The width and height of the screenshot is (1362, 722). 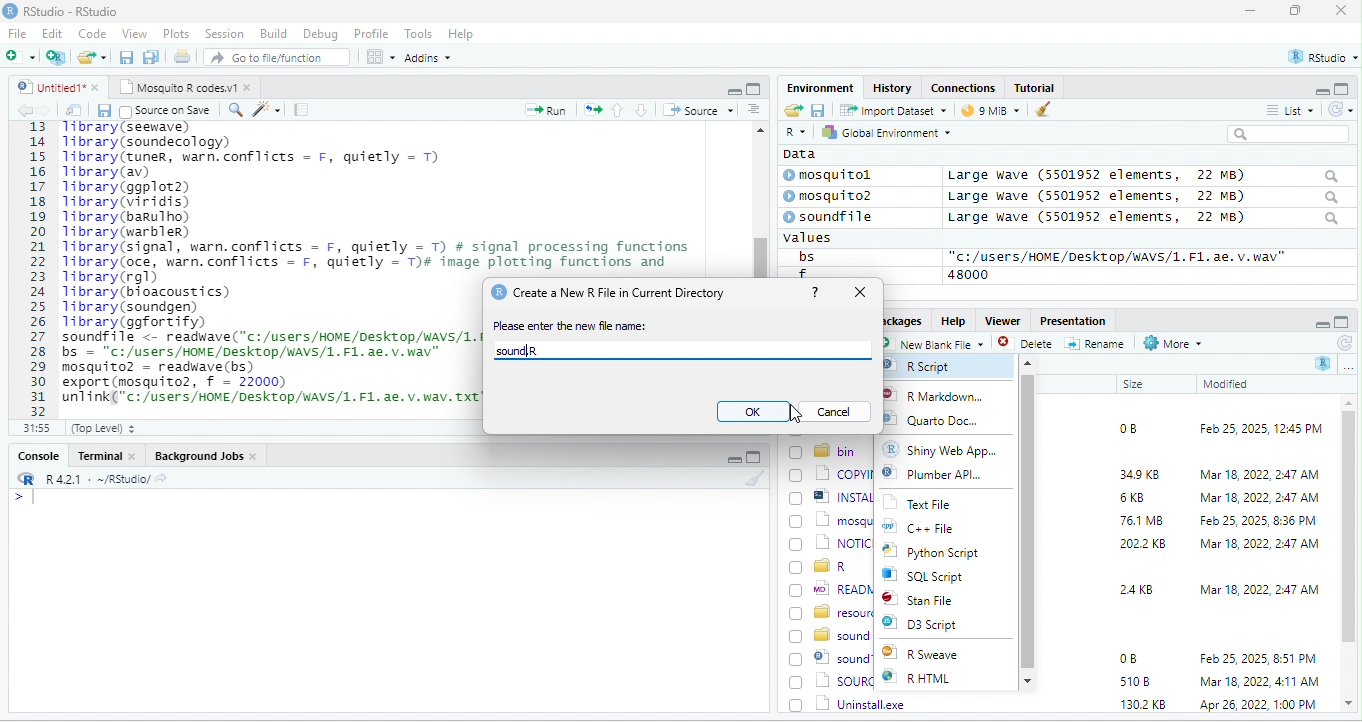 What do you see at coordinates (619, 109) in the screenshot?
I see `up` at bounding box center [619, 109].